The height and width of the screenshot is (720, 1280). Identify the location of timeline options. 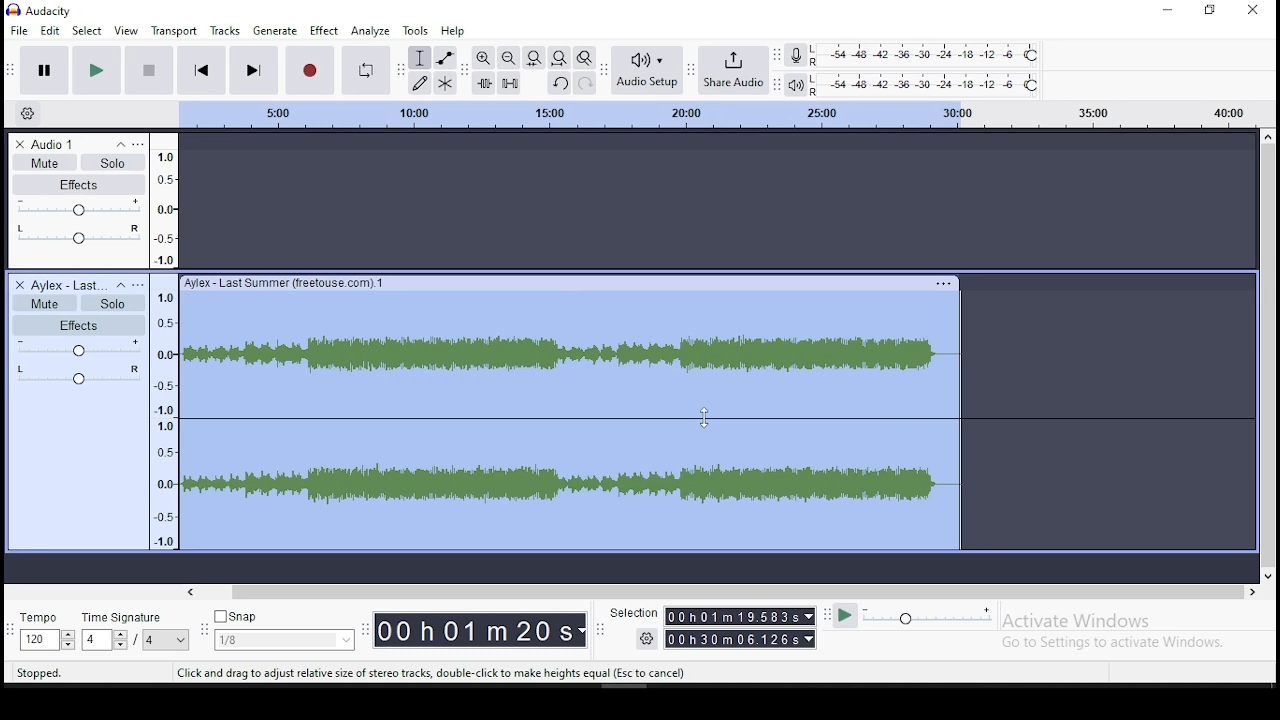
(27, 114).